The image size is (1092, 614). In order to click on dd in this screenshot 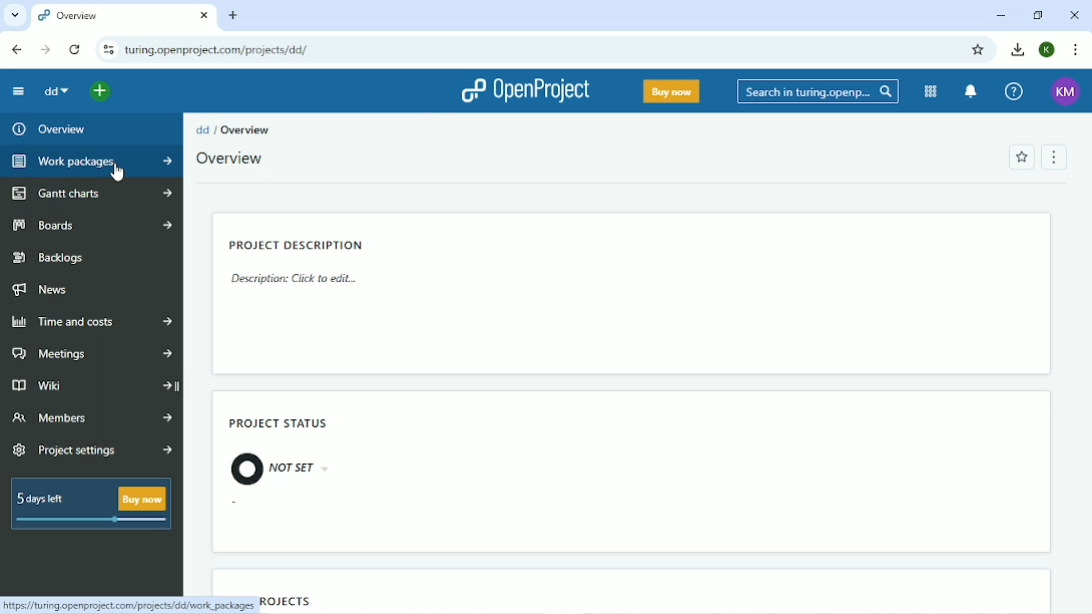, I will do `click(201, 129)`.